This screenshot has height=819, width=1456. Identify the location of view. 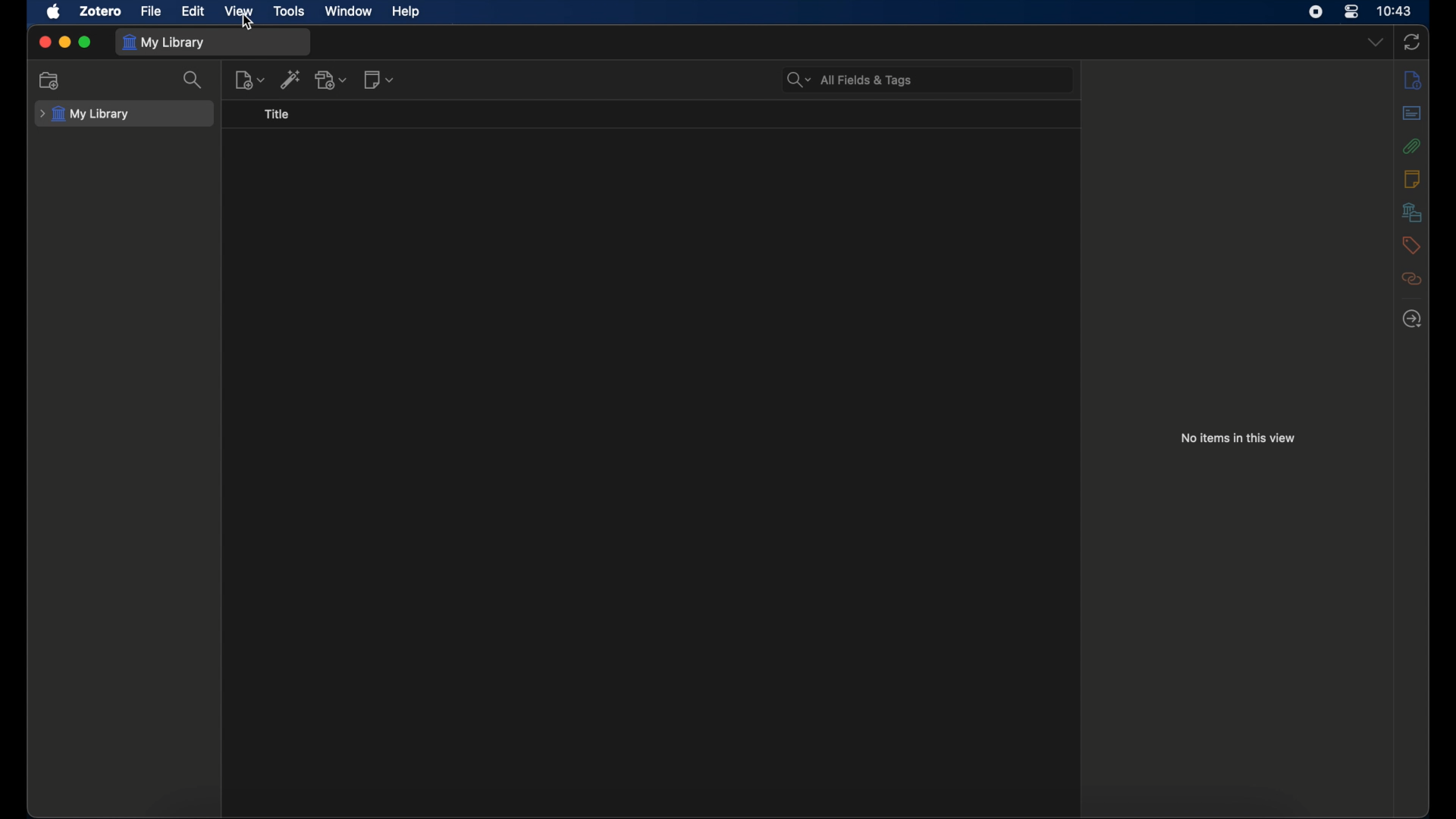
(238, 11).